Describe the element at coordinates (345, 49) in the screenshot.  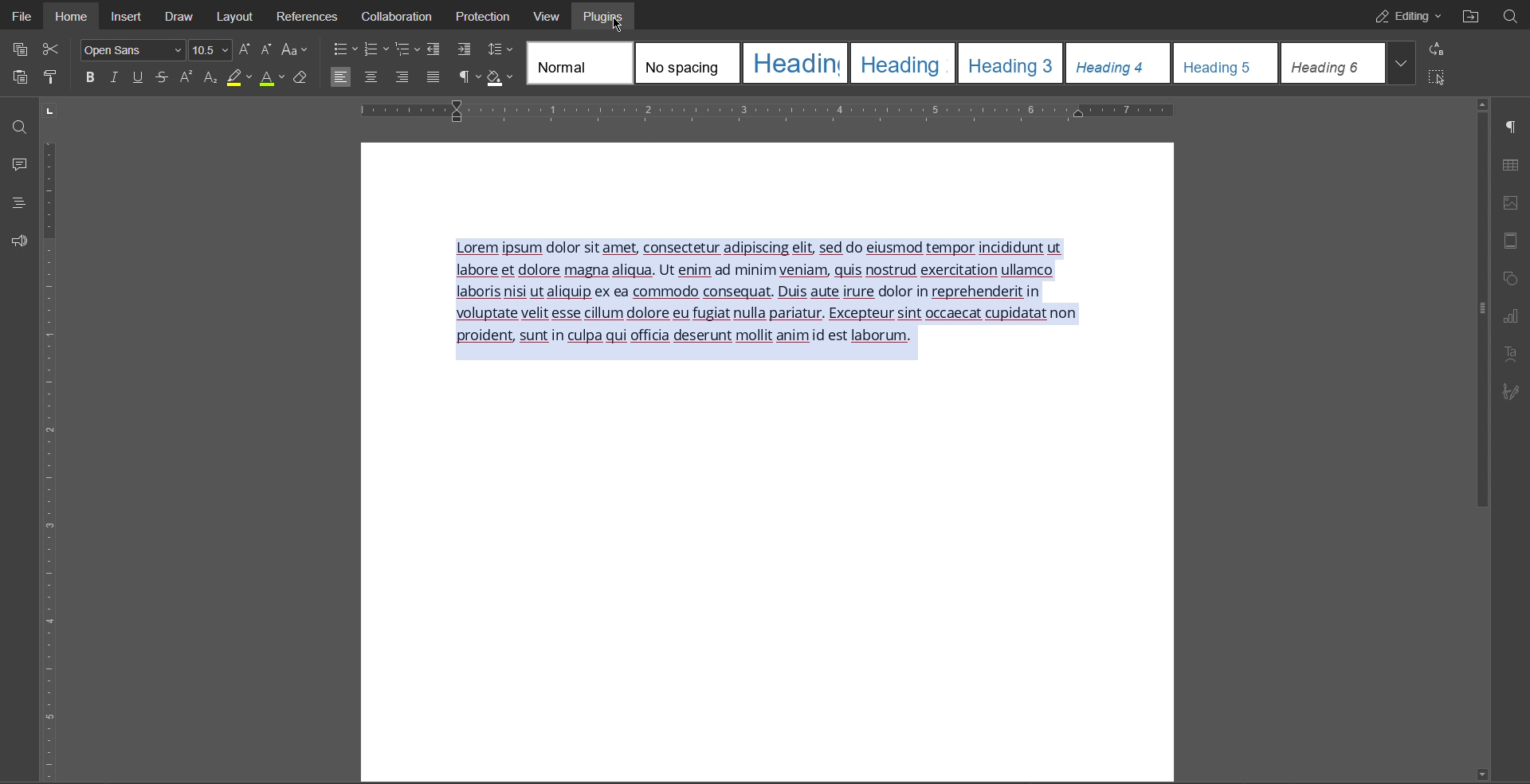
I see `Bullet List` at that location.